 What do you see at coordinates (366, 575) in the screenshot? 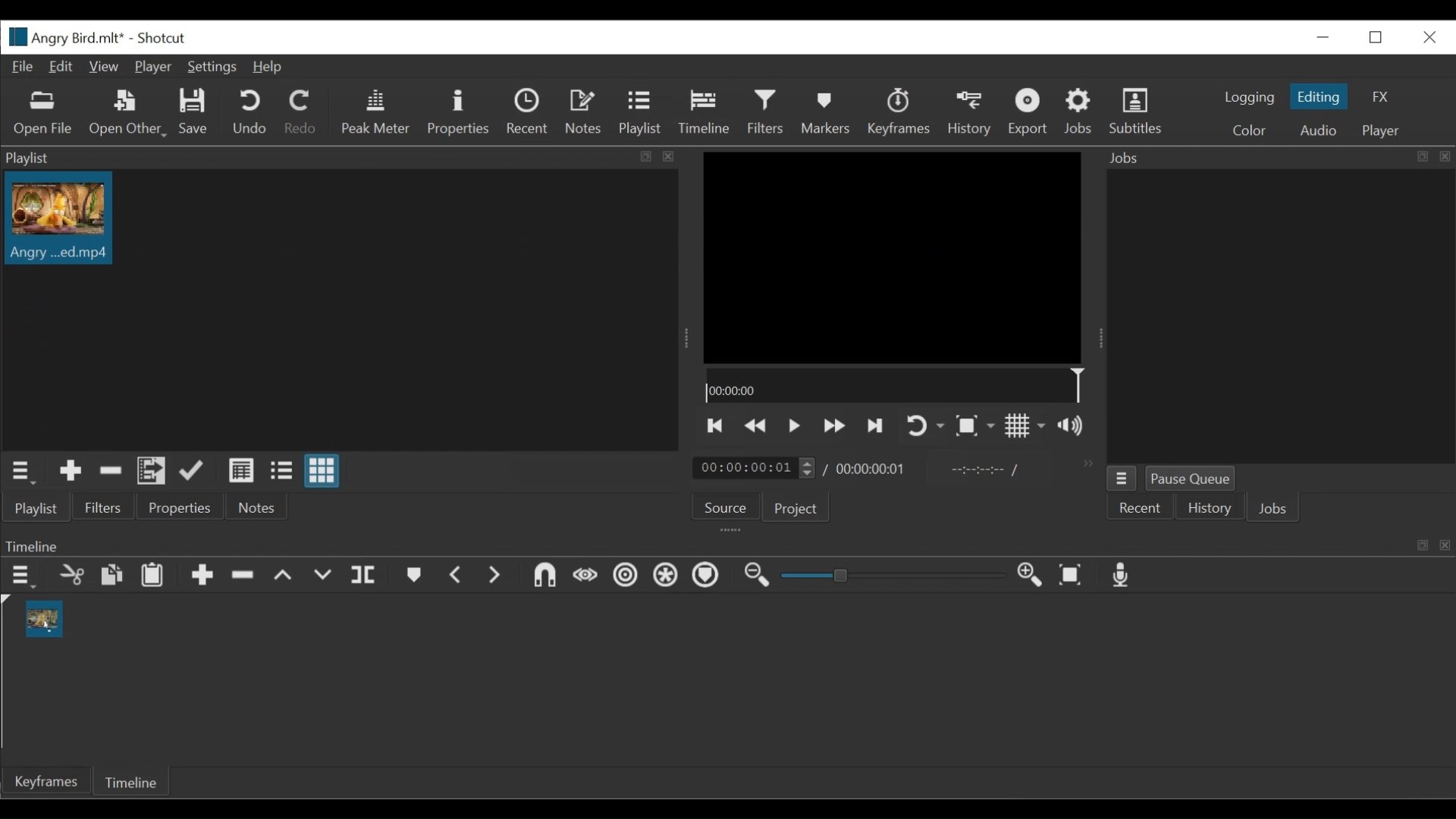
I see `Split at playhead` at bounding box center [366, 575].